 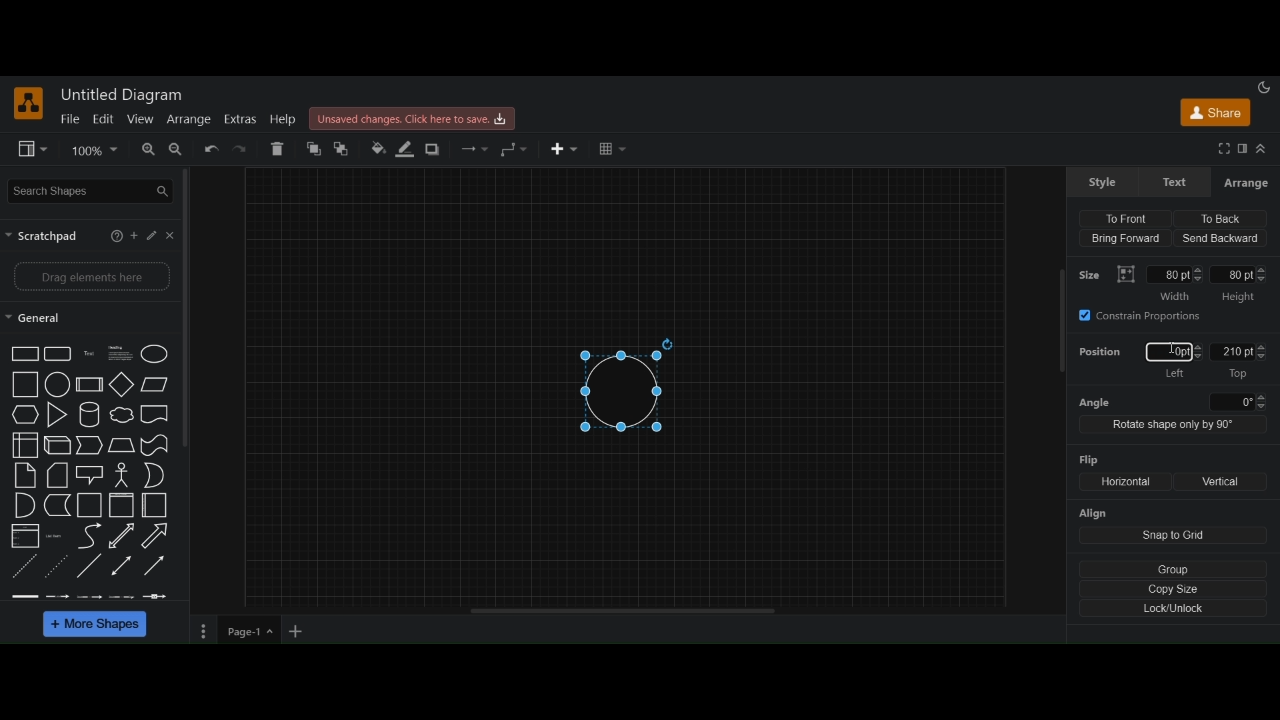 I want to click on file, so click(x=70, y=119).